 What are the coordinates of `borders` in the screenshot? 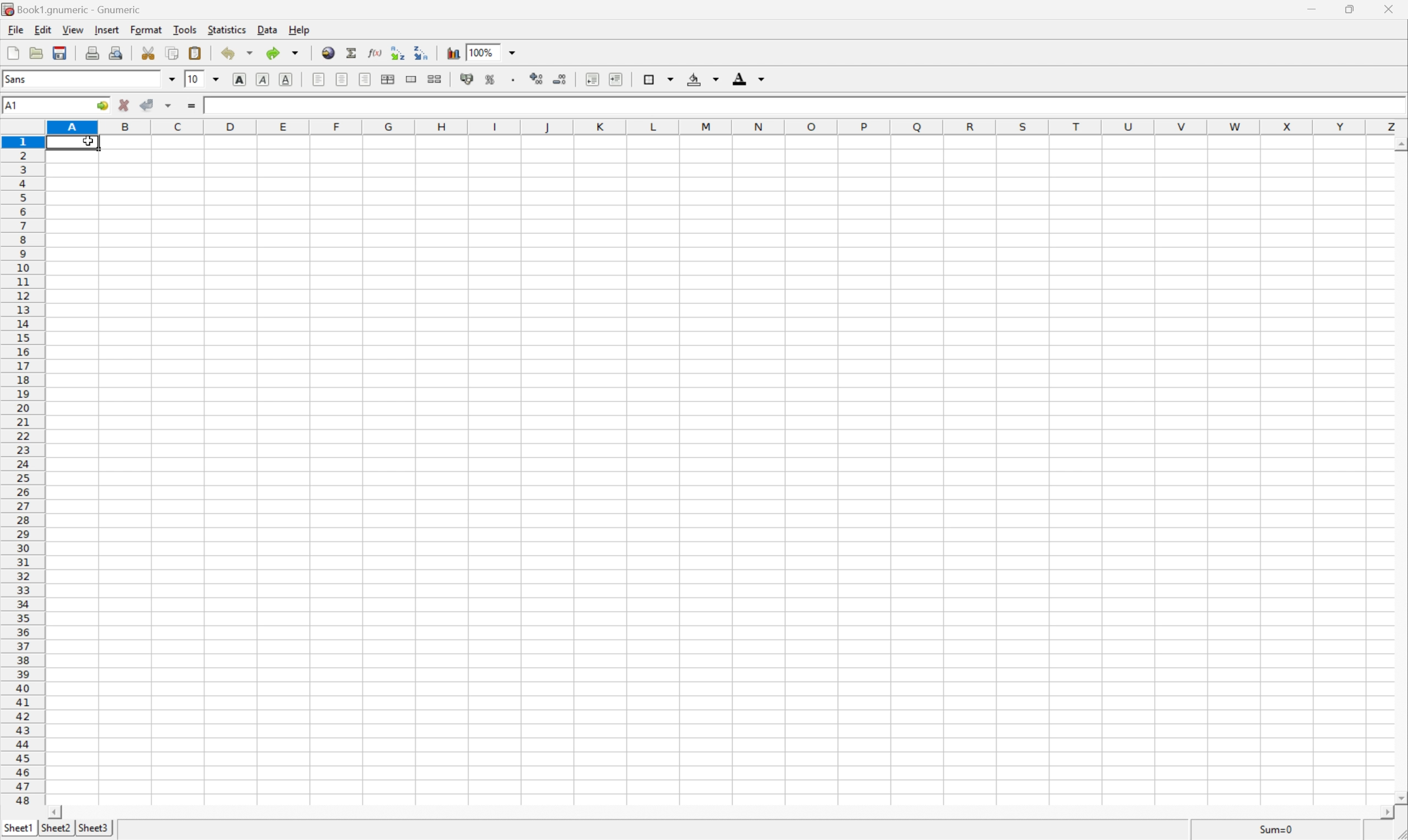 It's located at (657, 78).